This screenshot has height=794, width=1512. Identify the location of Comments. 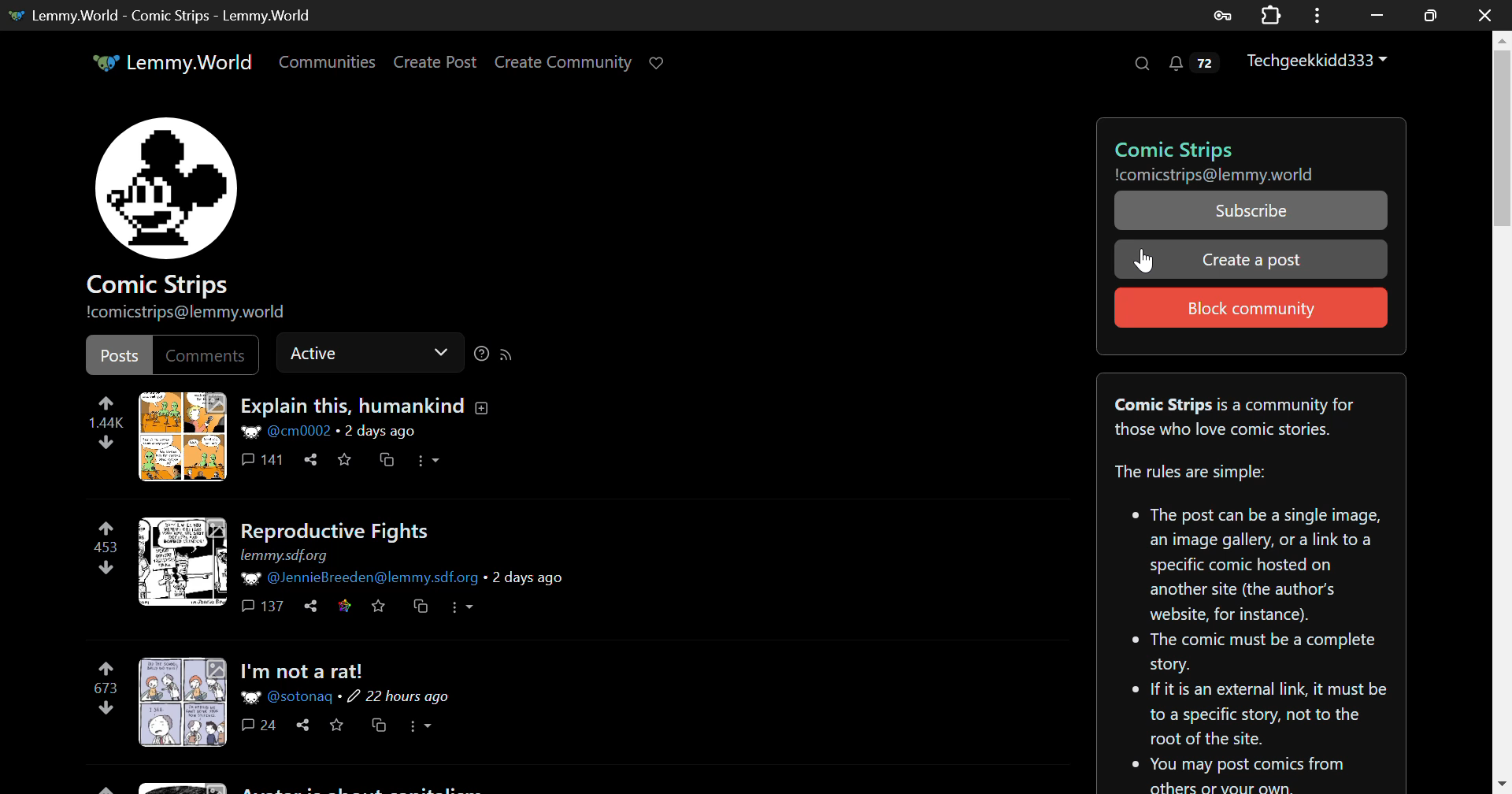
(265, 606).